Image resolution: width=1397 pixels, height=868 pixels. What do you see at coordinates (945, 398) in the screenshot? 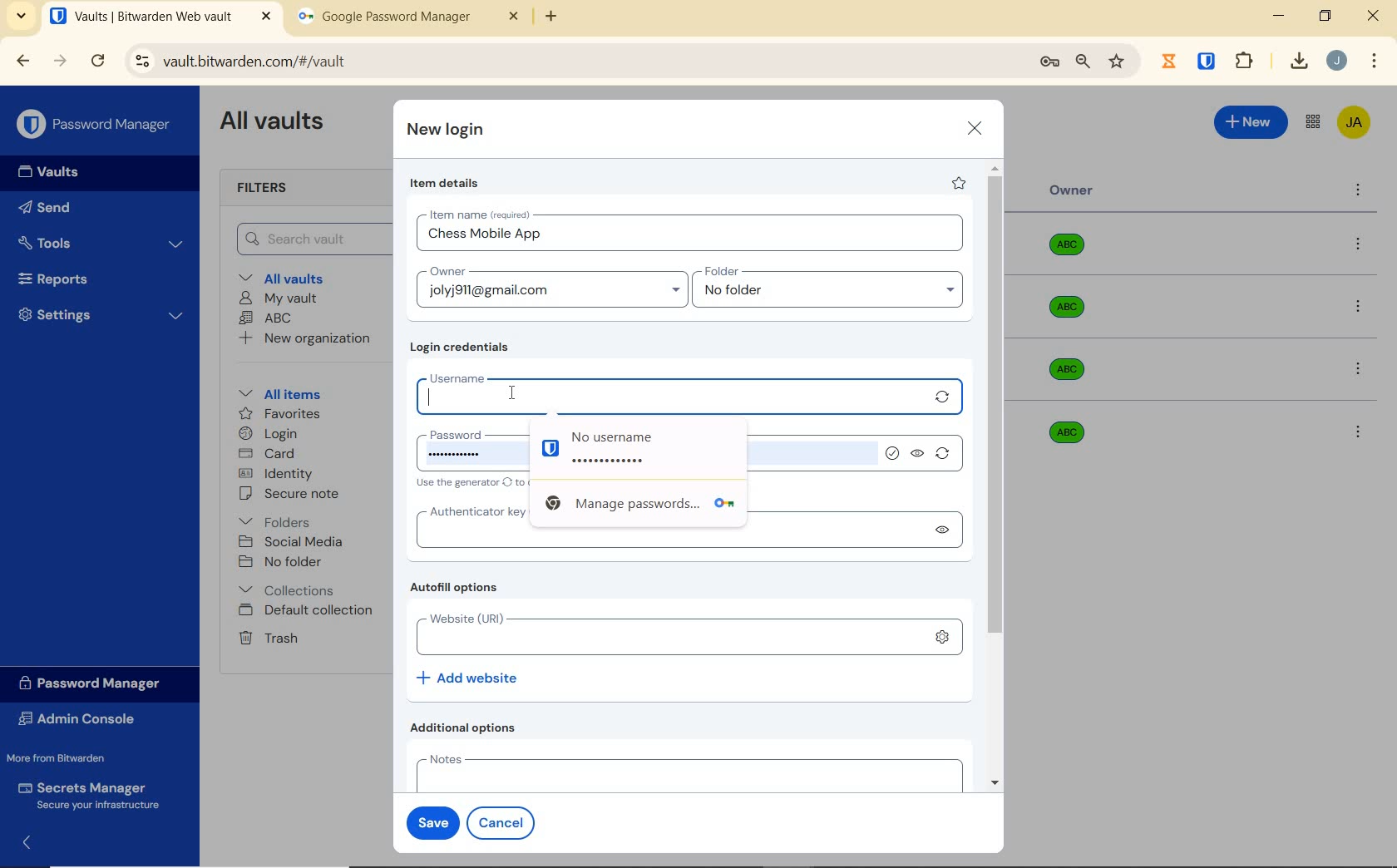
I see `generate` at bounding box center [945, 398].